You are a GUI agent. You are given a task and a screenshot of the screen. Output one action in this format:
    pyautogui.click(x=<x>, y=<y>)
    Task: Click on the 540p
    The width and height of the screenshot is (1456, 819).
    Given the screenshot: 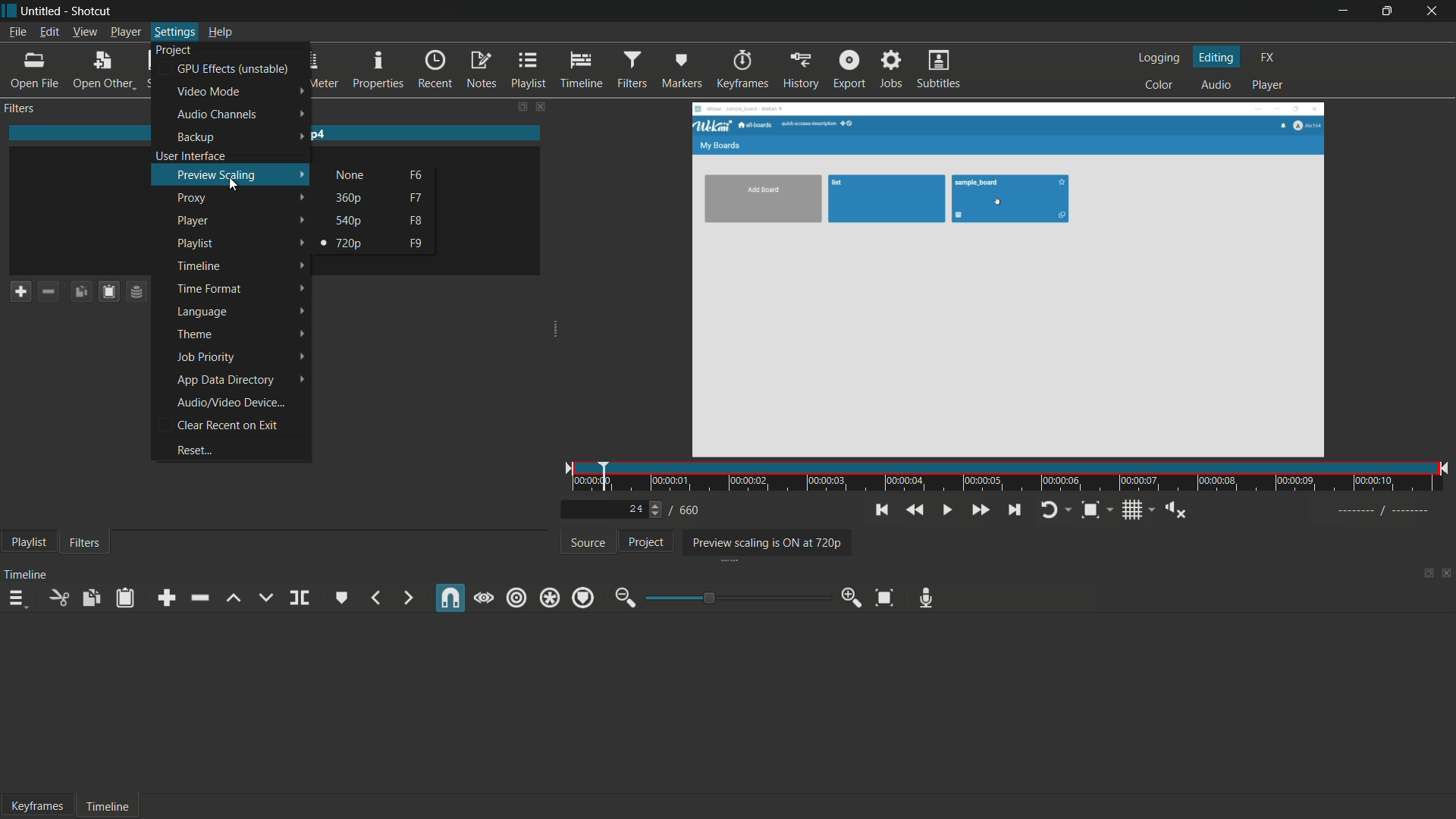 What is the action you would take?
    pyautogui.click(x=350, y=220)
    